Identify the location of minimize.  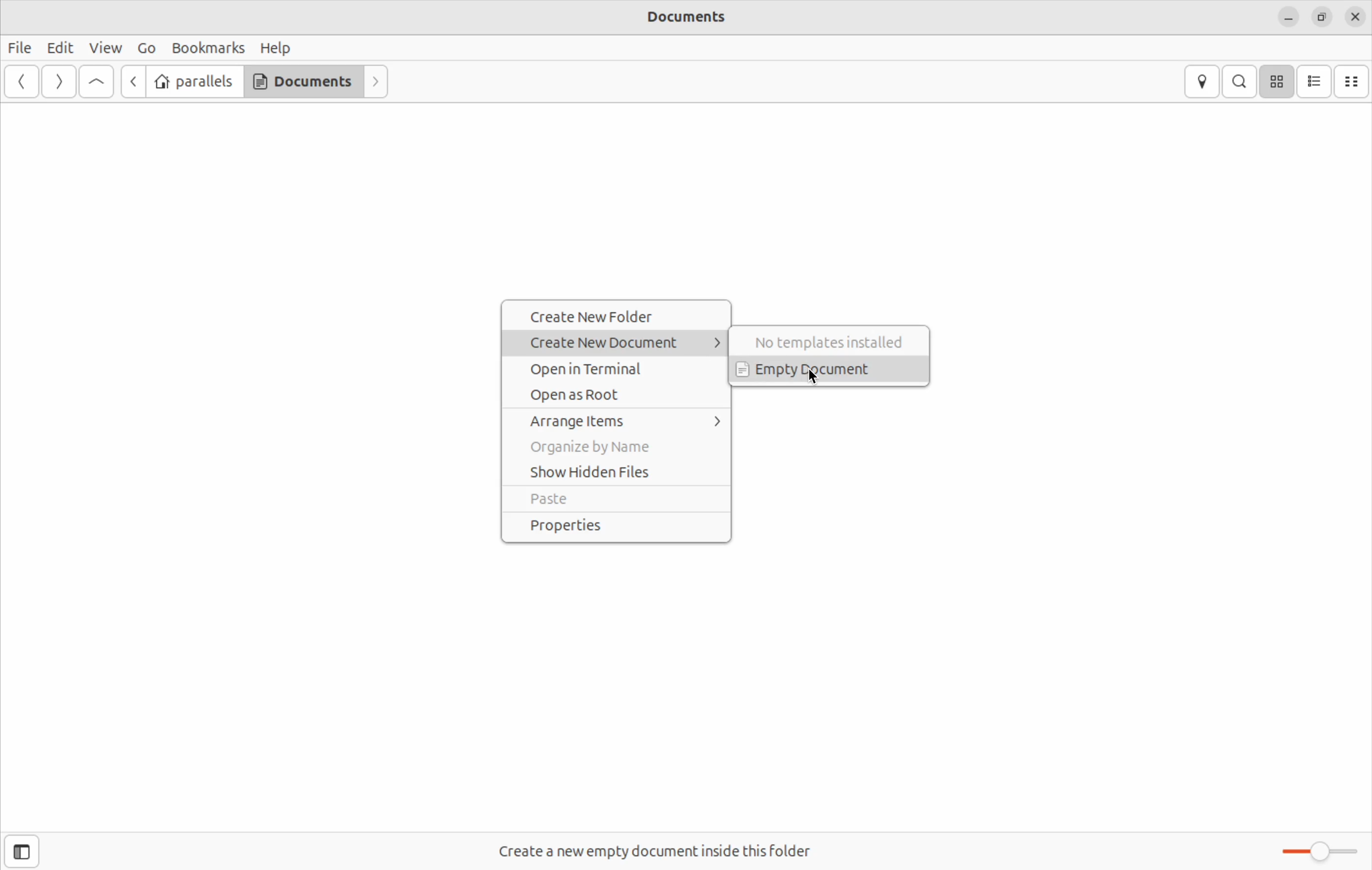
(1288, 17).